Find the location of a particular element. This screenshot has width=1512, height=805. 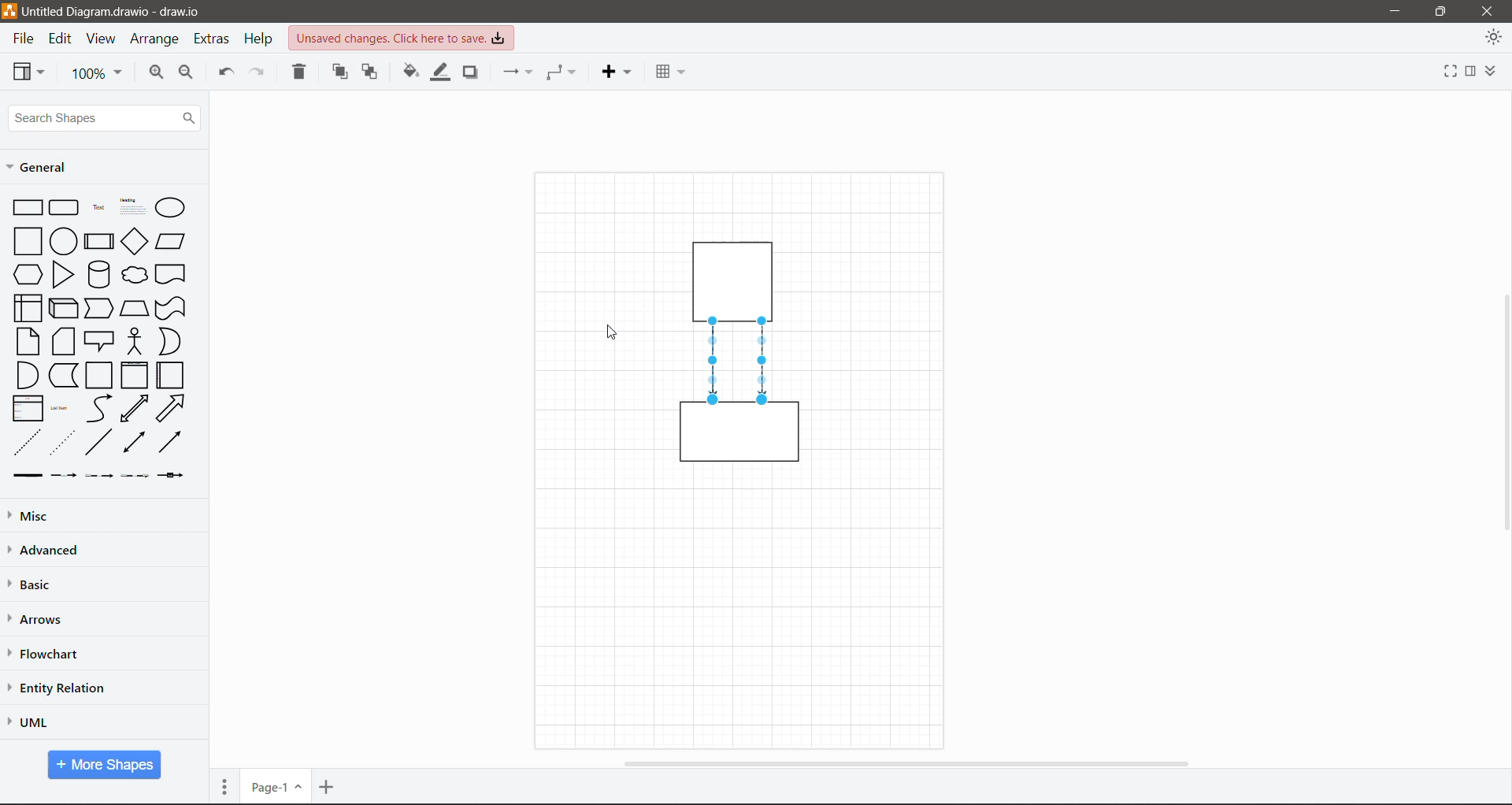

Fullscreen is located at coordinates (1446, 69).